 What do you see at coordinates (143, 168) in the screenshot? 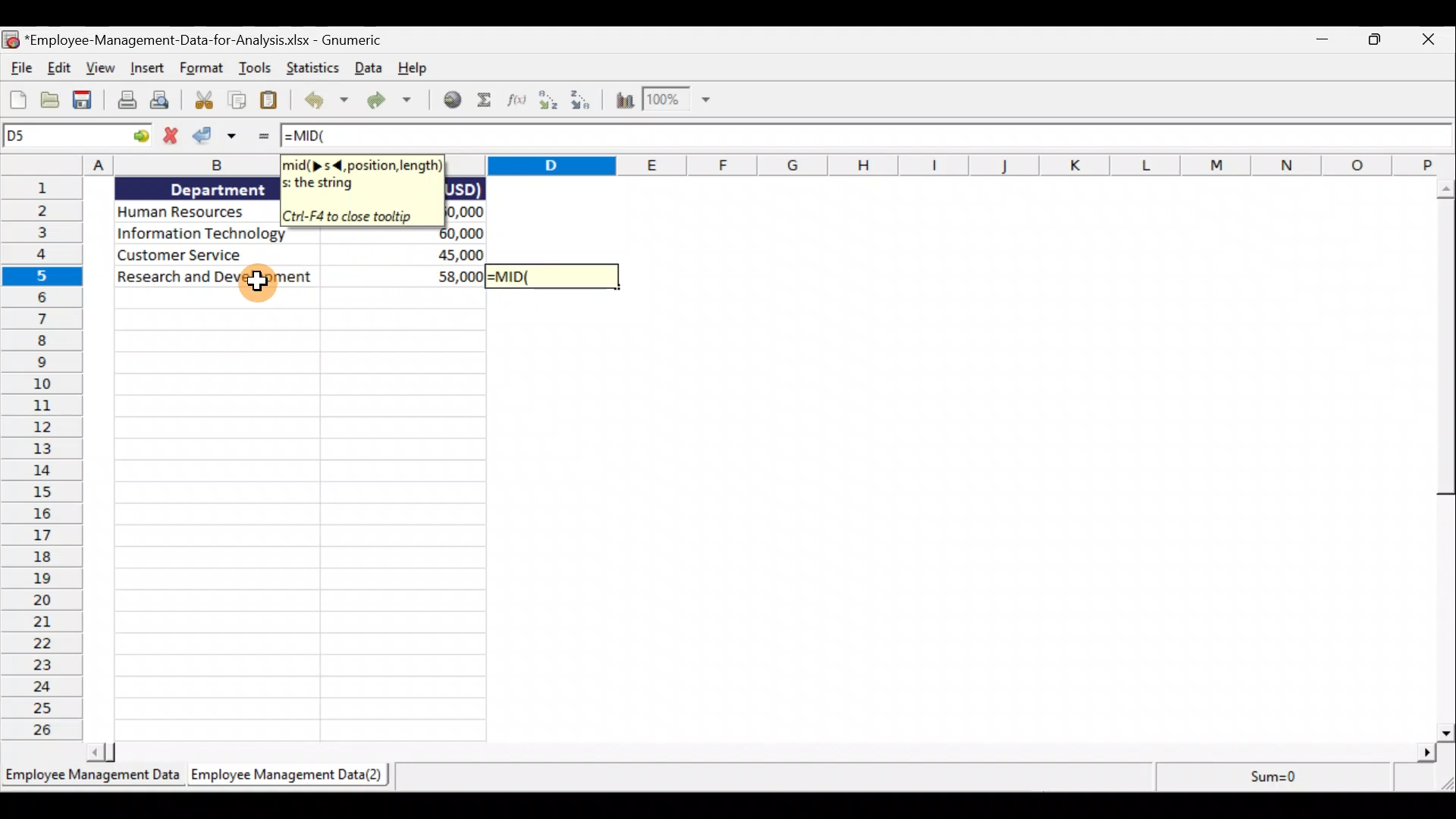
I see `Columns` at bounding box center [143, 168].